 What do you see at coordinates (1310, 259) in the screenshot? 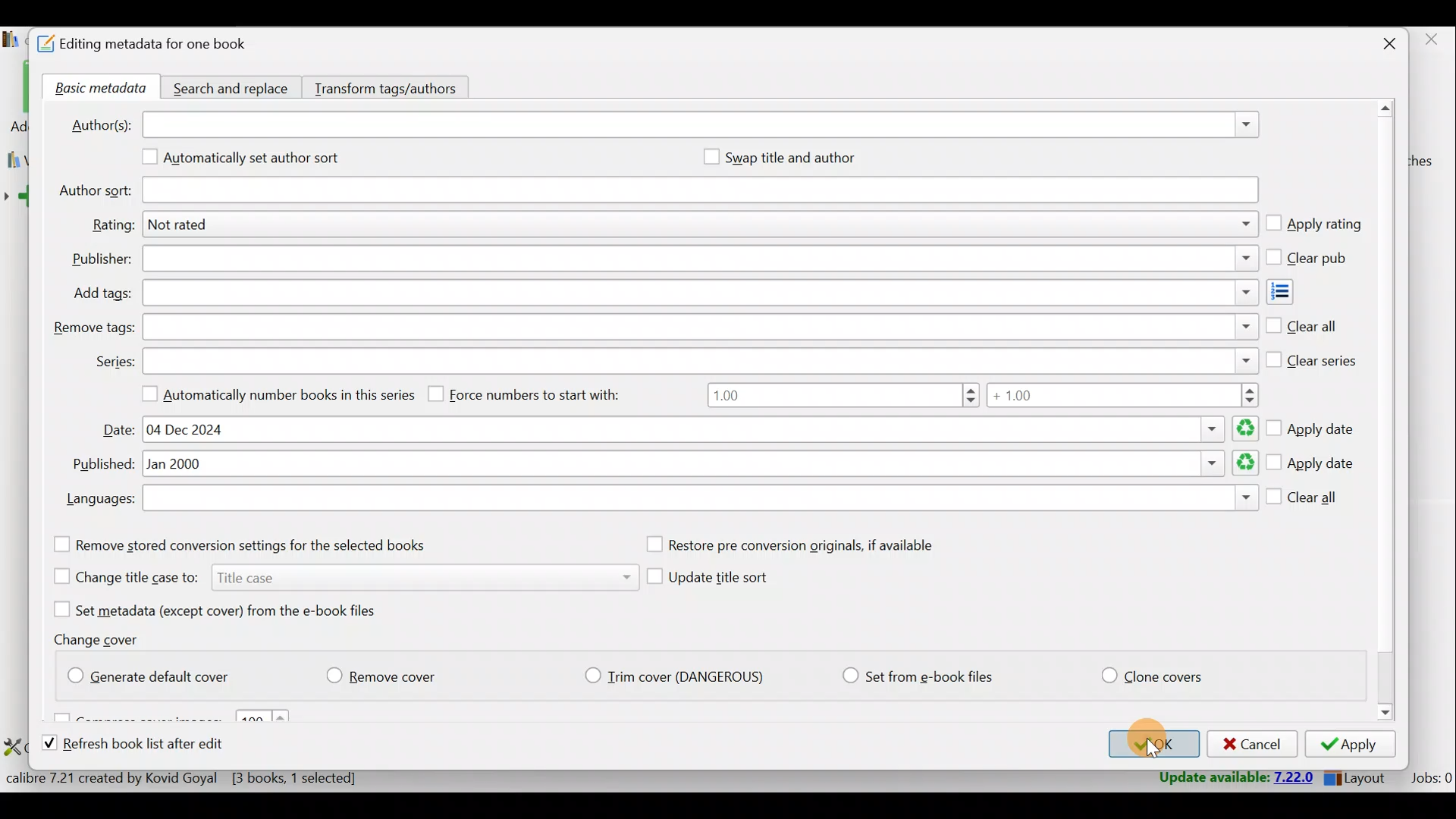
I see `Clear pub` at bounding box center [1310, 259].